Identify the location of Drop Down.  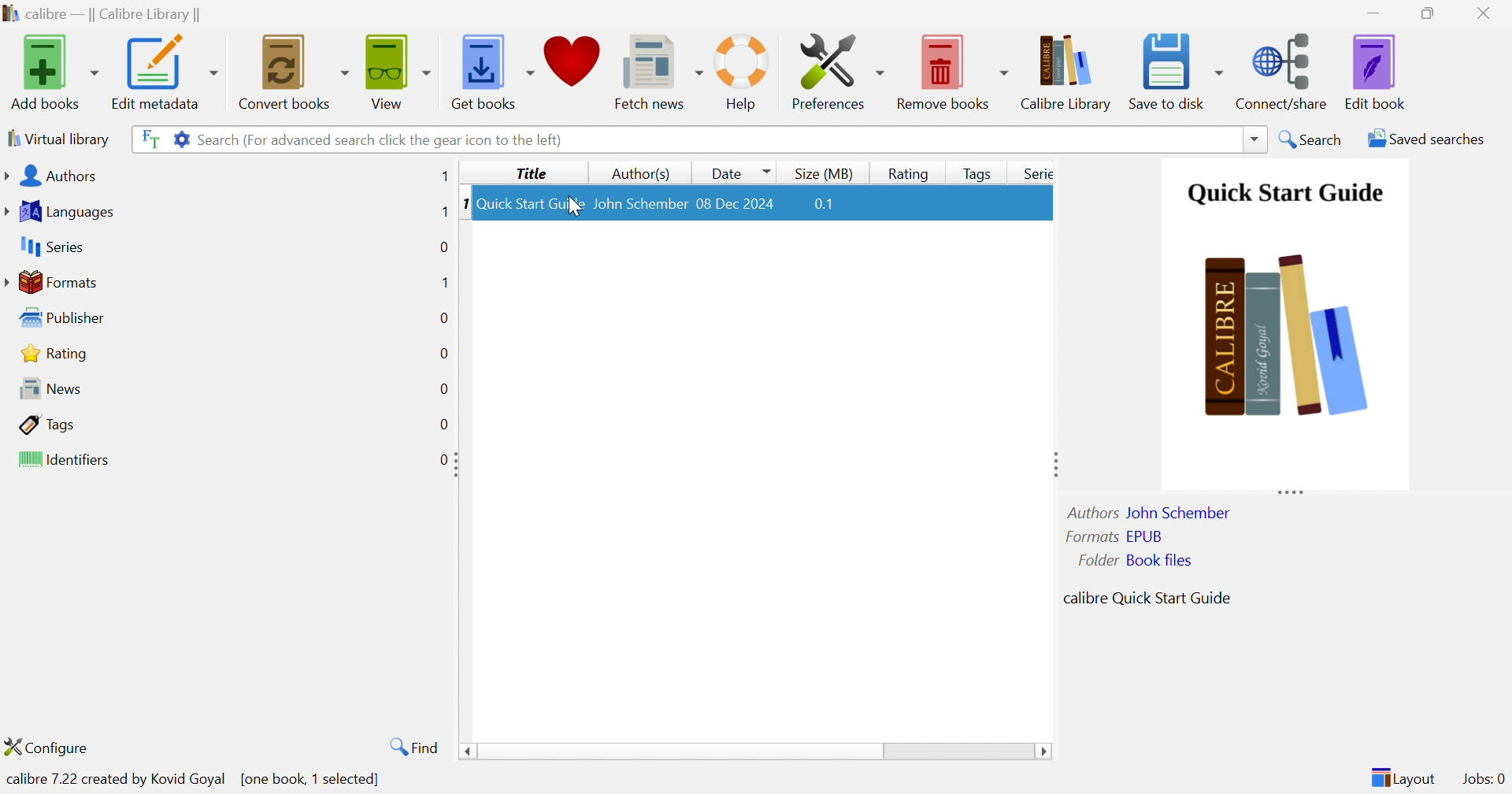
(680, 753).